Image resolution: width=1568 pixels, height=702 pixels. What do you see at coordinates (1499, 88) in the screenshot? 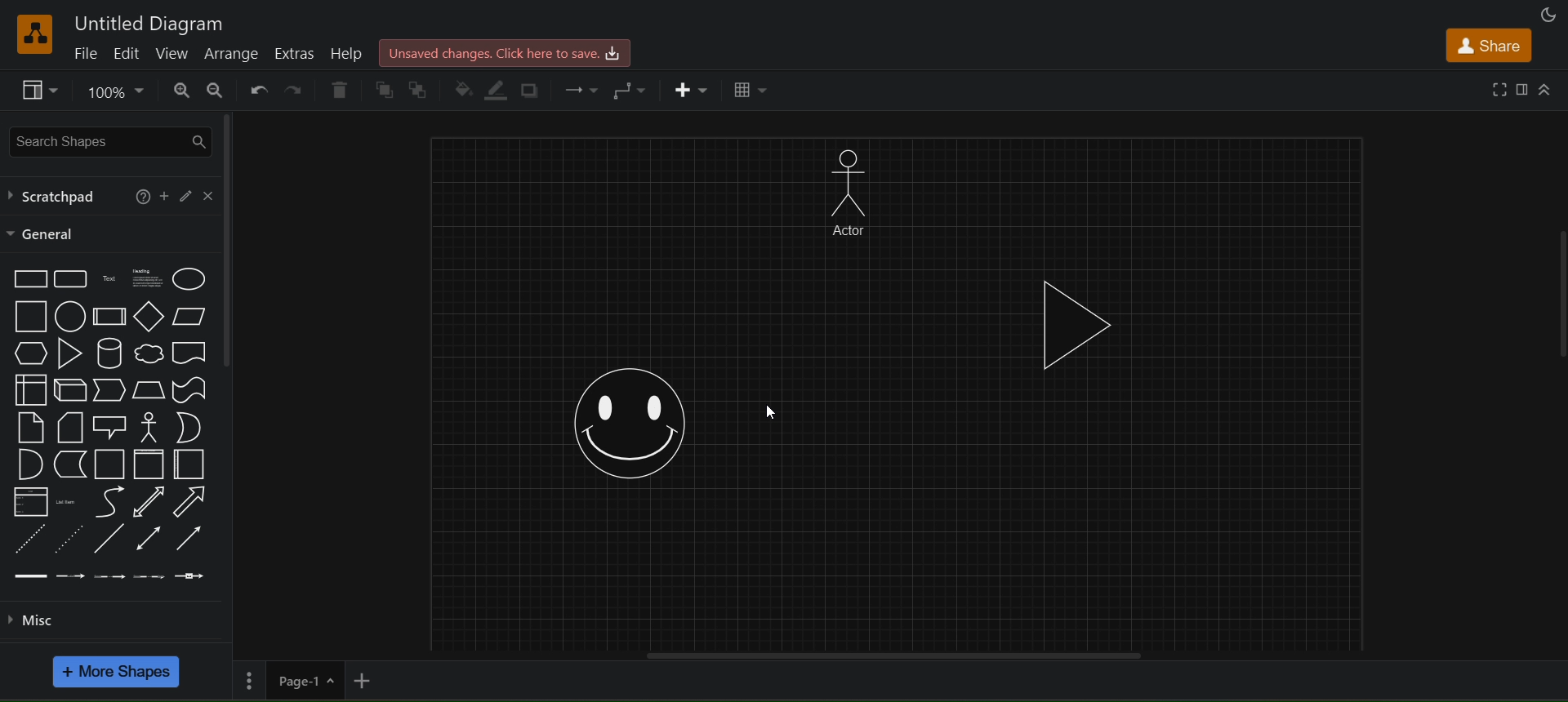
I see `fullscreen` at bounding box center [1499, 88].